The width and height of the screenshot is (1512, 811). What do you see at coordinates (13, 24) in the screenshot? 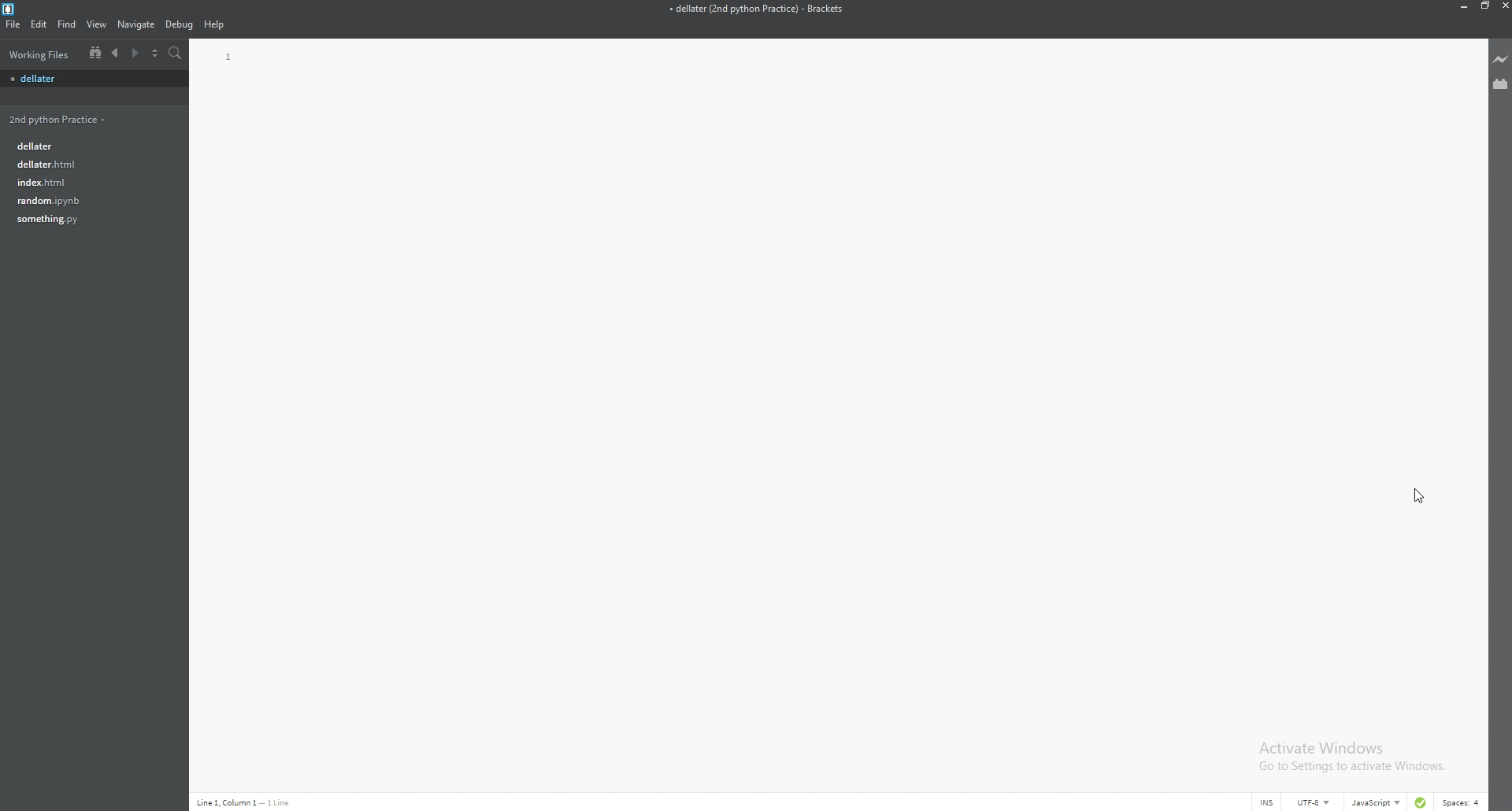
I see `file` at bounding box center [13, 24].